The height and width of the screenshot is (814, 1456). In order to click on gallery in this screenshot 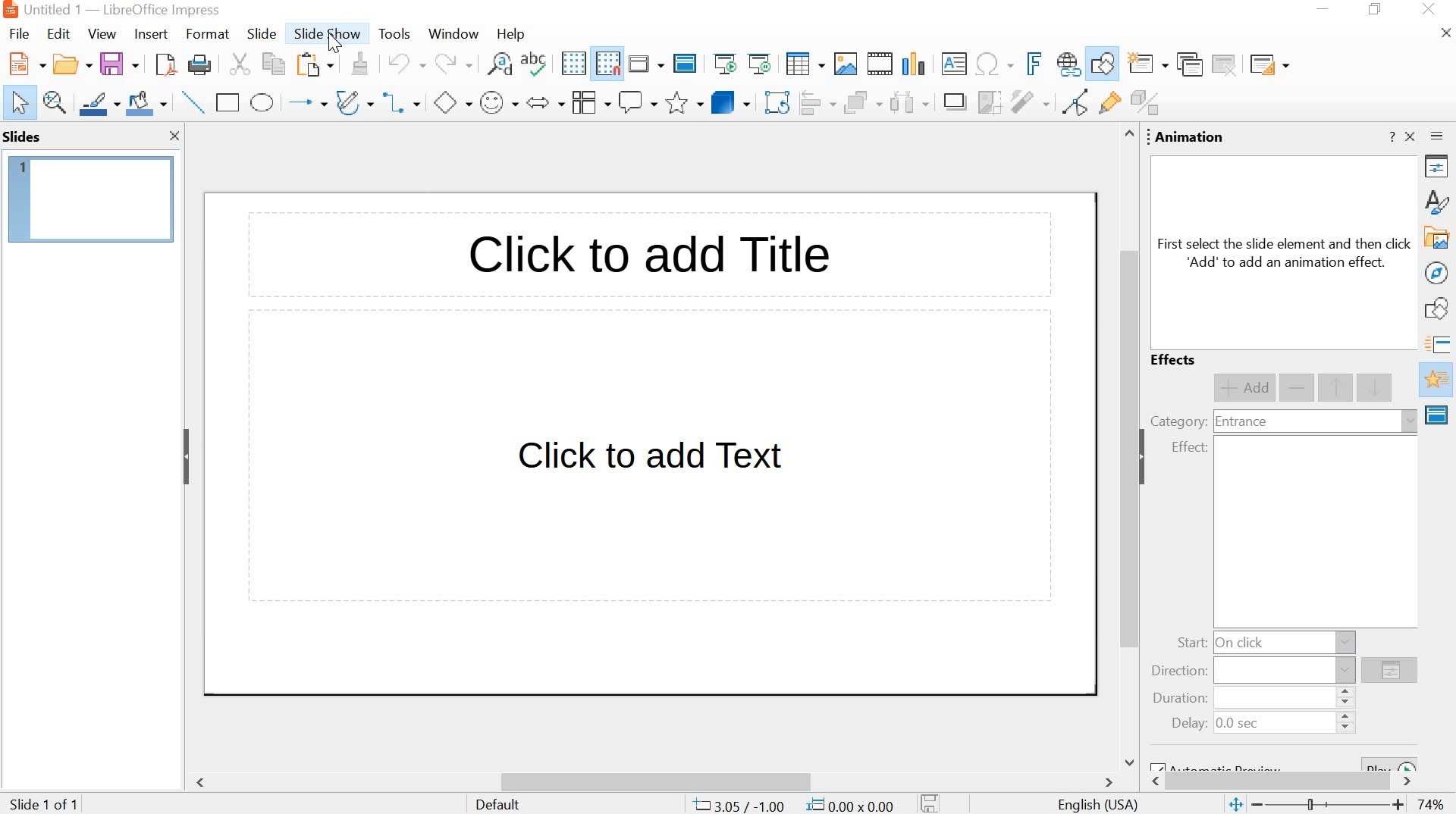, I will do `click(1438, 239)`.